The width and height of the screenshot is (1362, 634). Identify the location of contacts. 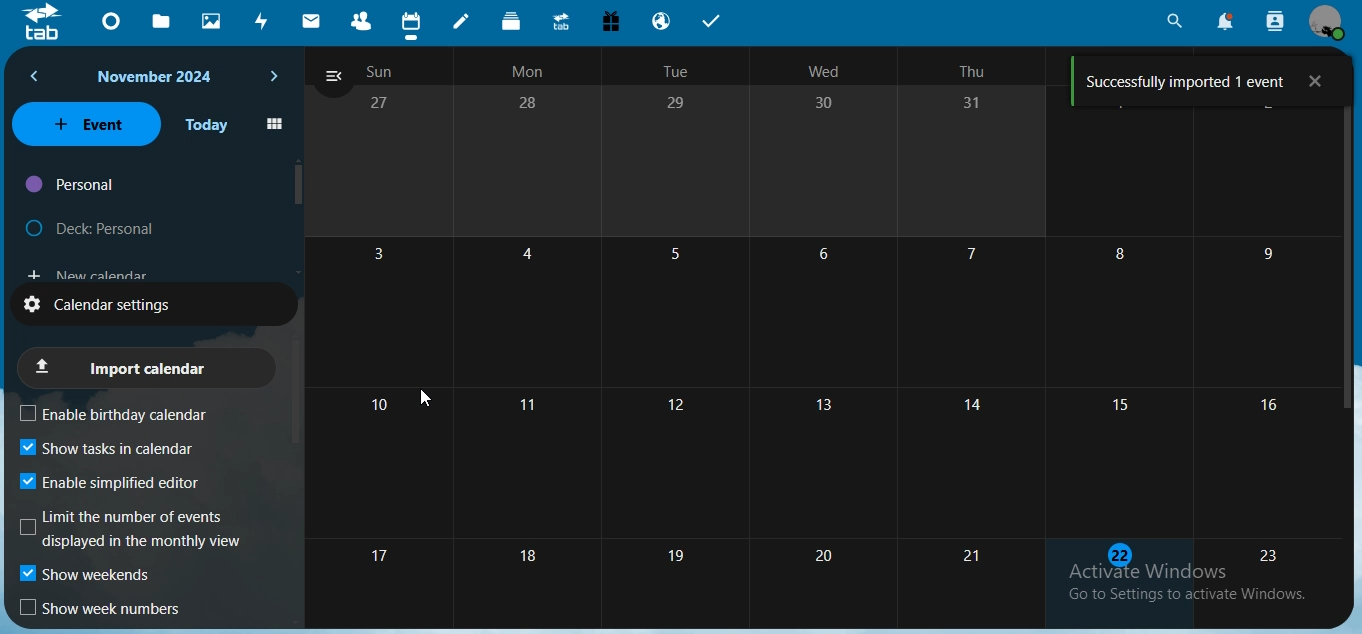
(361, 20).